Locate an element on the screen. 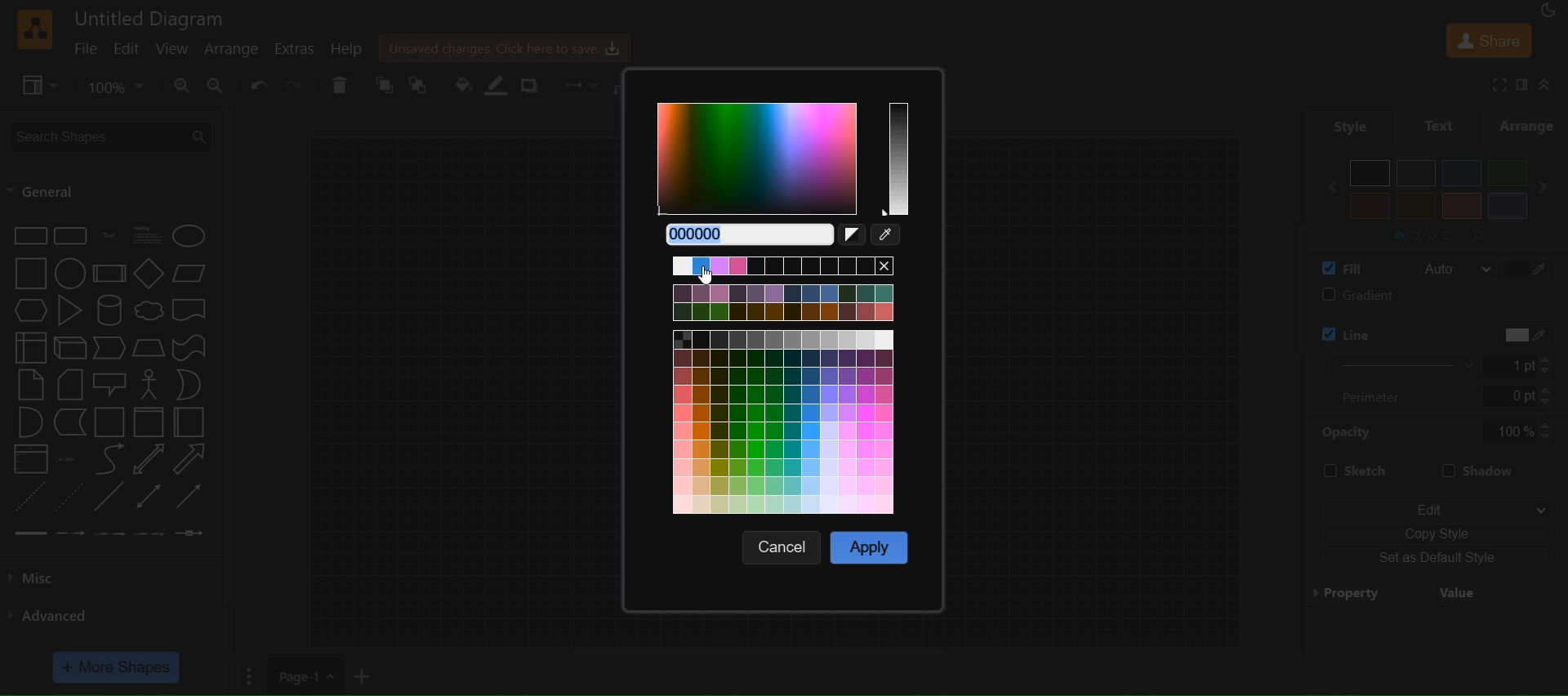 The image size is (1568, 696). circle is located at coordinates (68, 275).